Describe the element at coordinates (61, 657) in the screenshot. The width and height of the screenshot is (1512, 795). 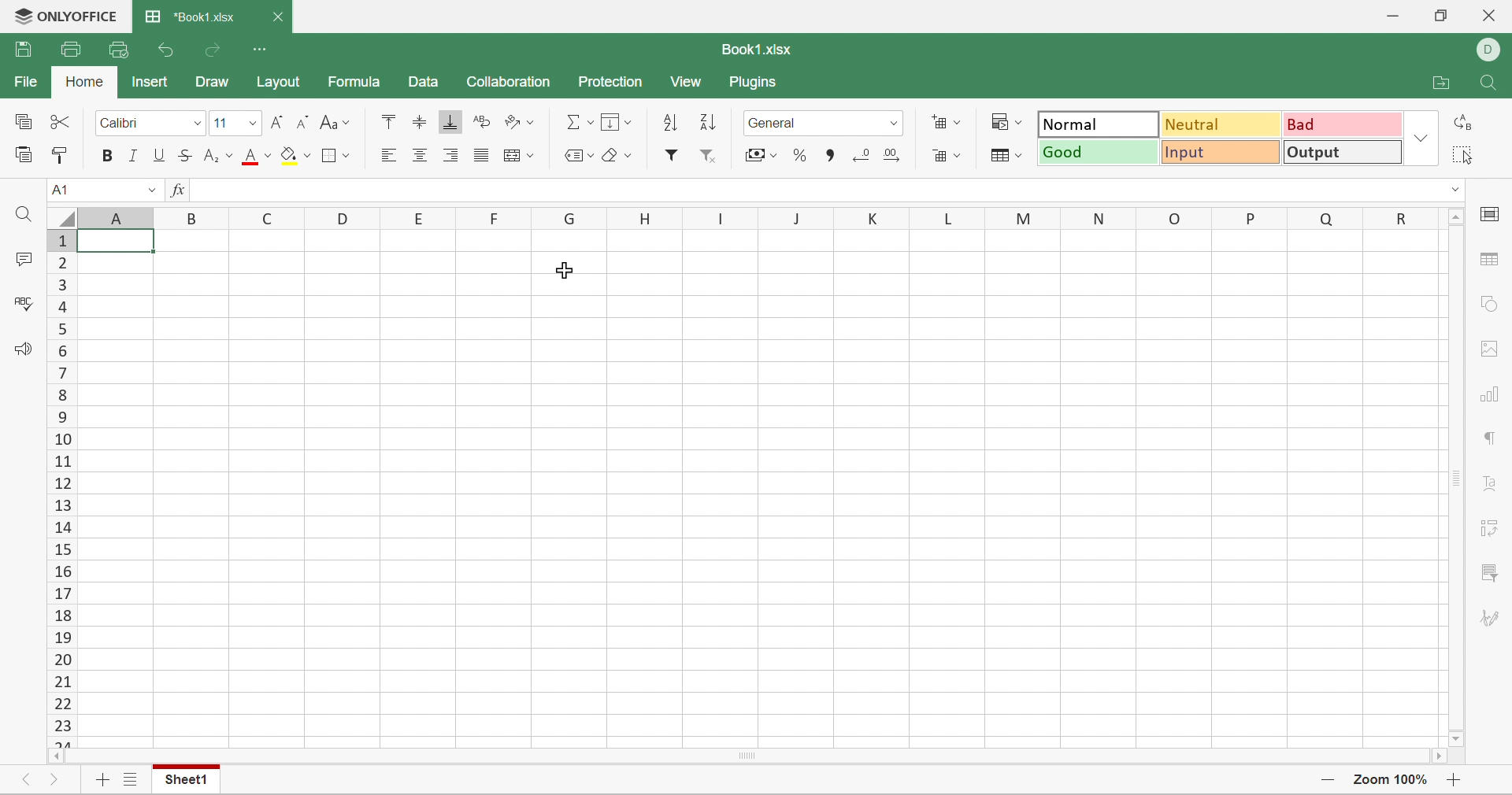
I see `20` at that location.